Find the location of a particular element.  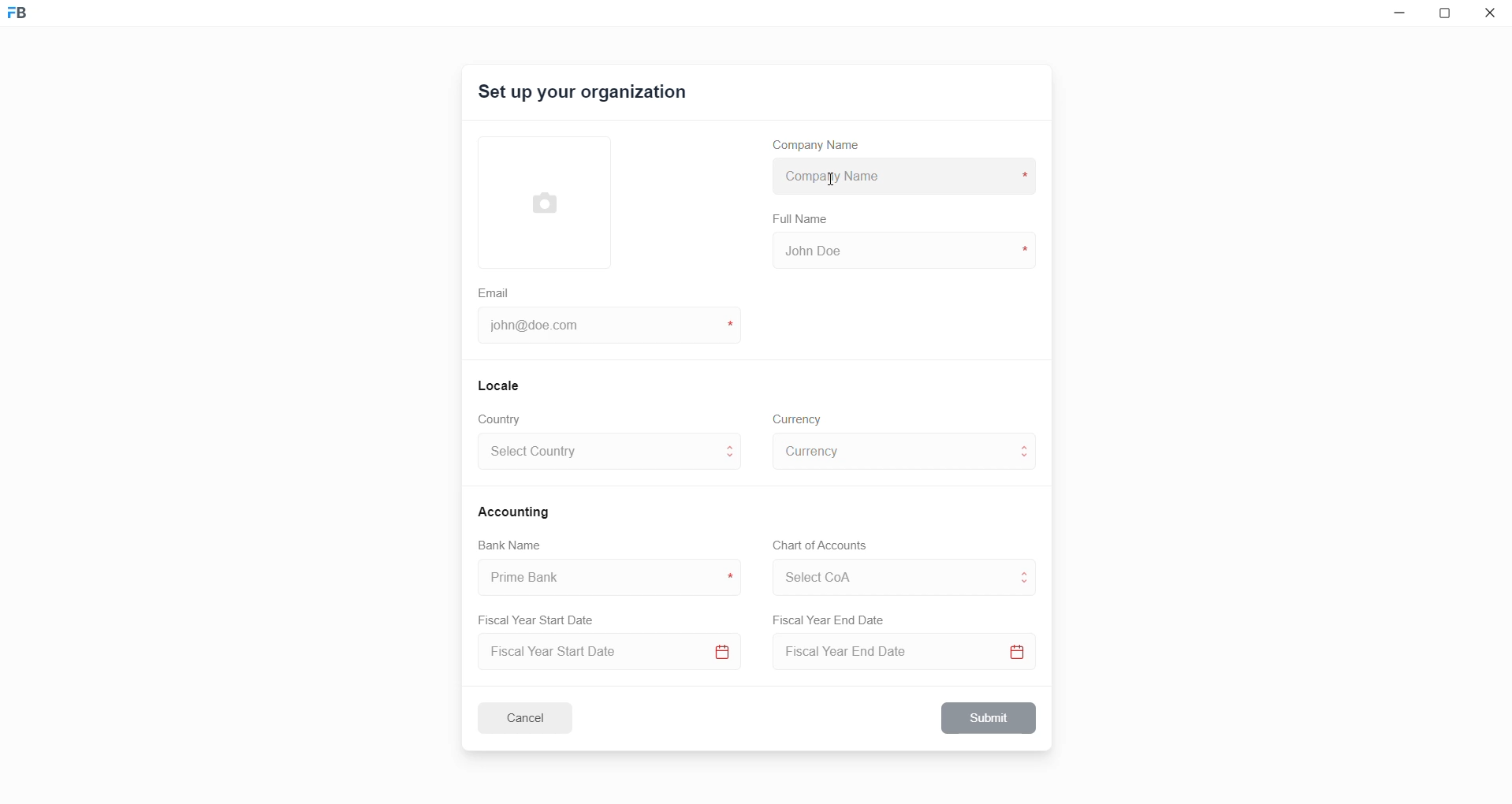

move to above curreny is located at coordinates (1028, 445).